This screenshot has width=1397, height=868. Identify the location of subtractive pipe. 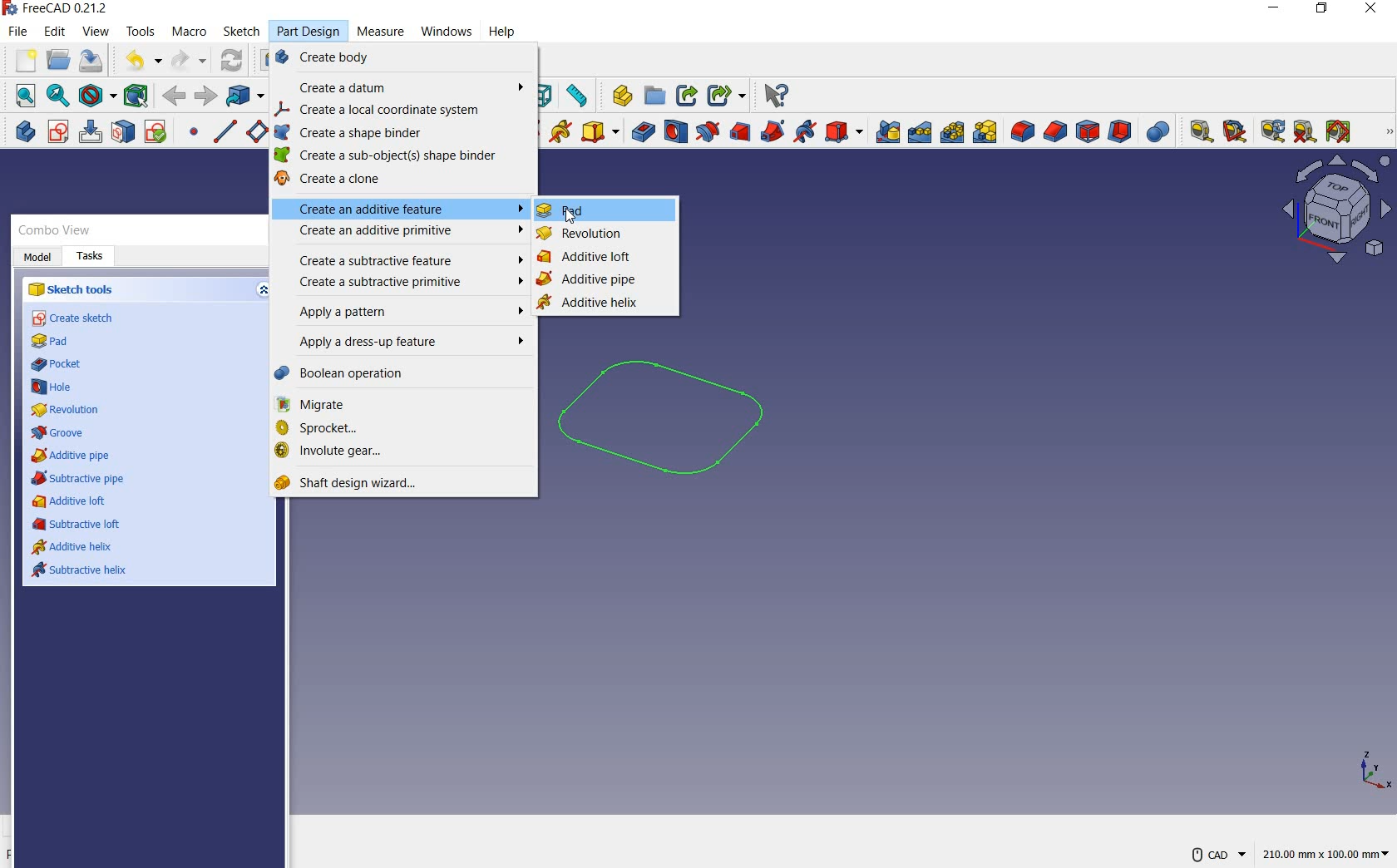
(78, 478).